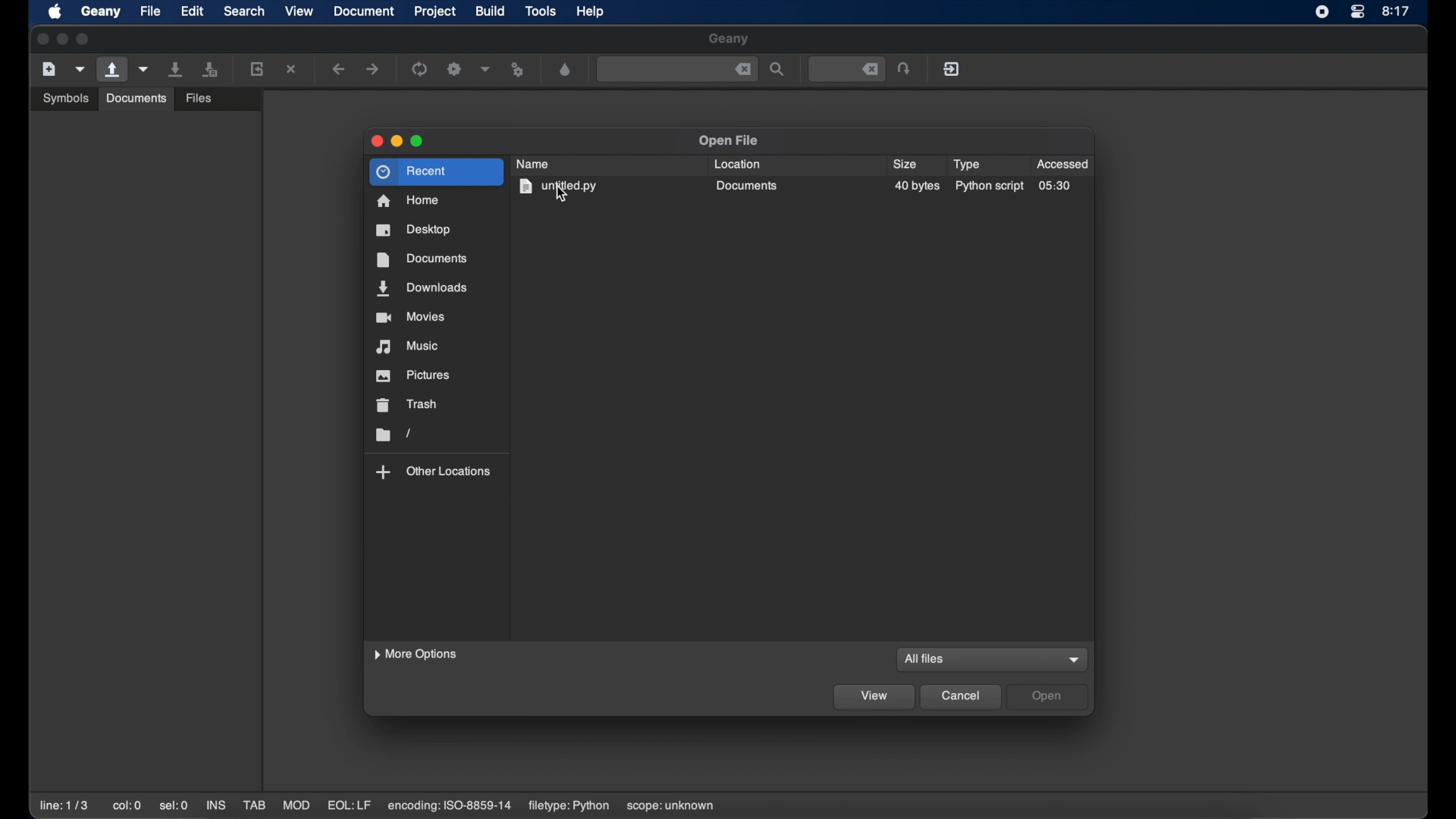 The image size is (1456, 819). Describe the element at coordinates (952, 68) in the screenshot. I see `quit geany` at that location.